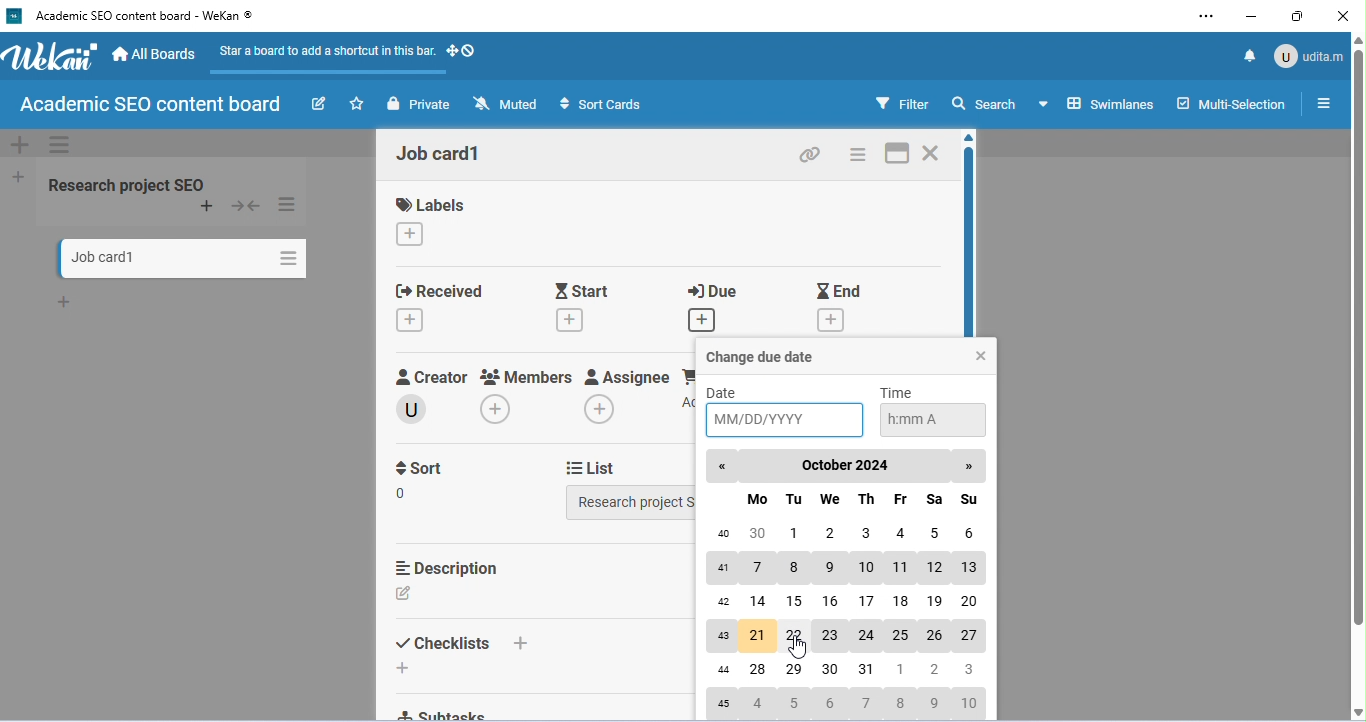  I want to click on add received date, so click(412, 319).